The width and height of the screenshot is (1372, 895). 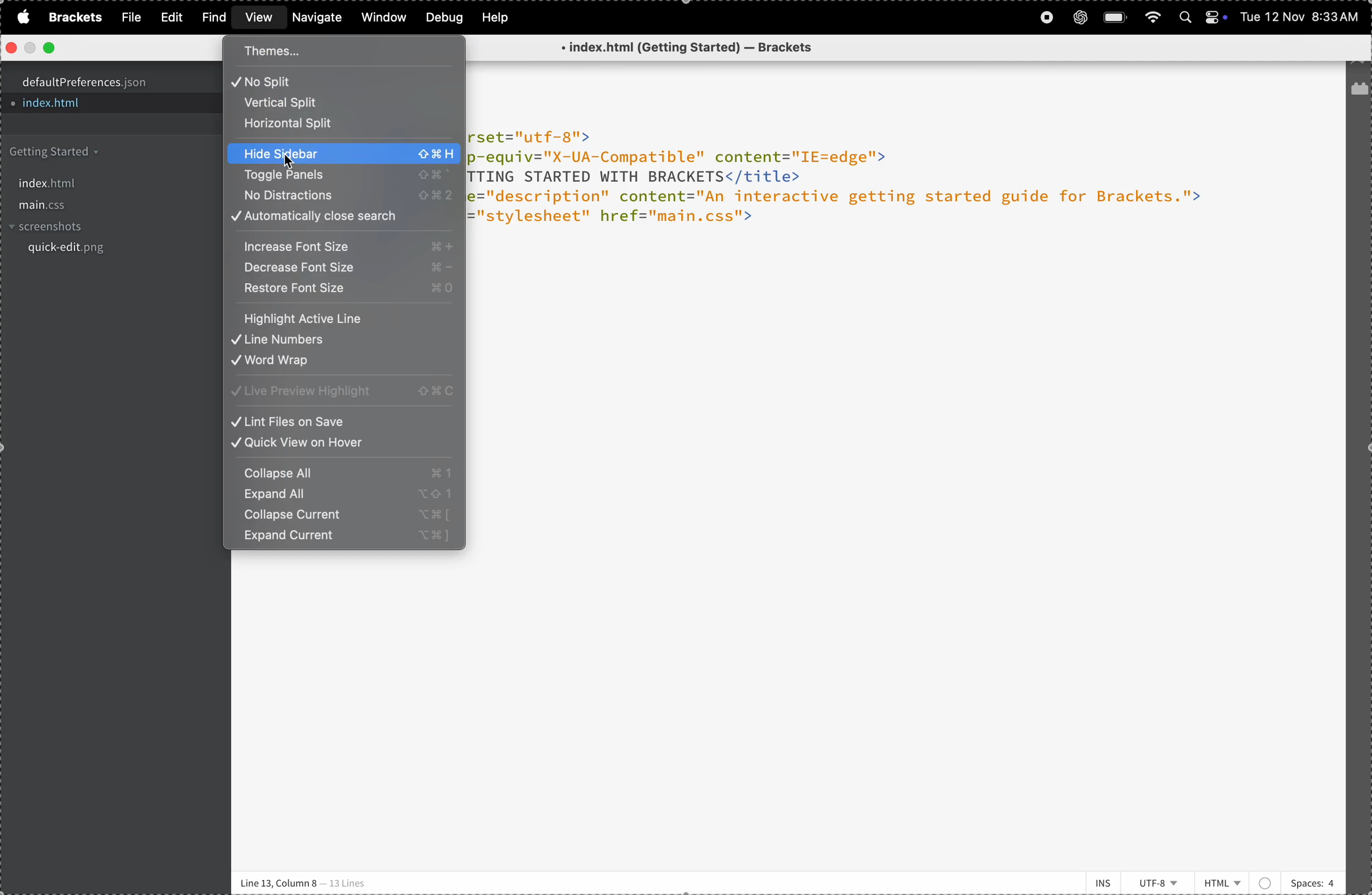 What do you see at coordinates (93, 152) in the screenshot?
I see `getting started` at bounding box center [93, 152].